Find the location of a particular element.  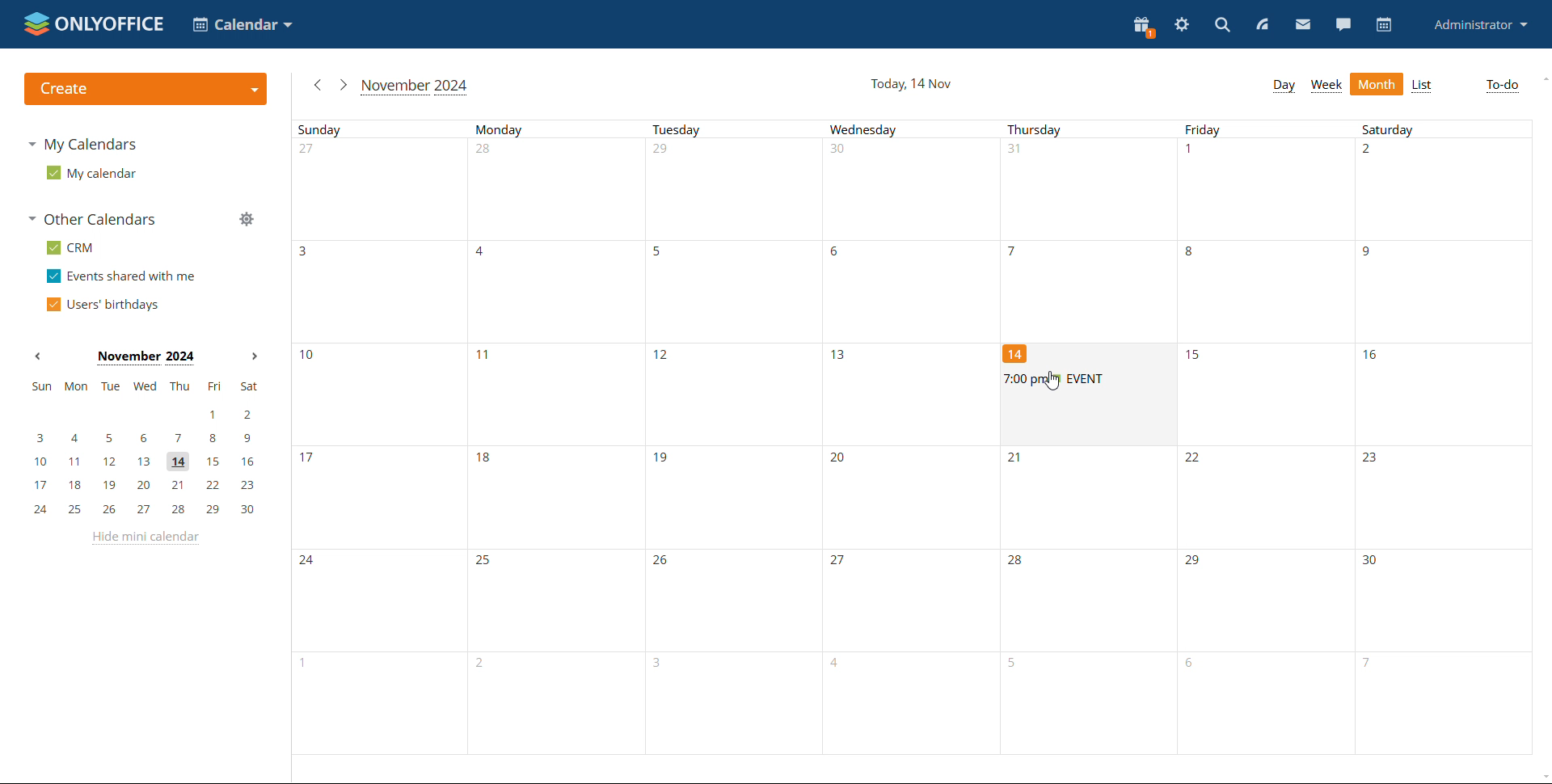

settings is located at coordinates (1183, 24).